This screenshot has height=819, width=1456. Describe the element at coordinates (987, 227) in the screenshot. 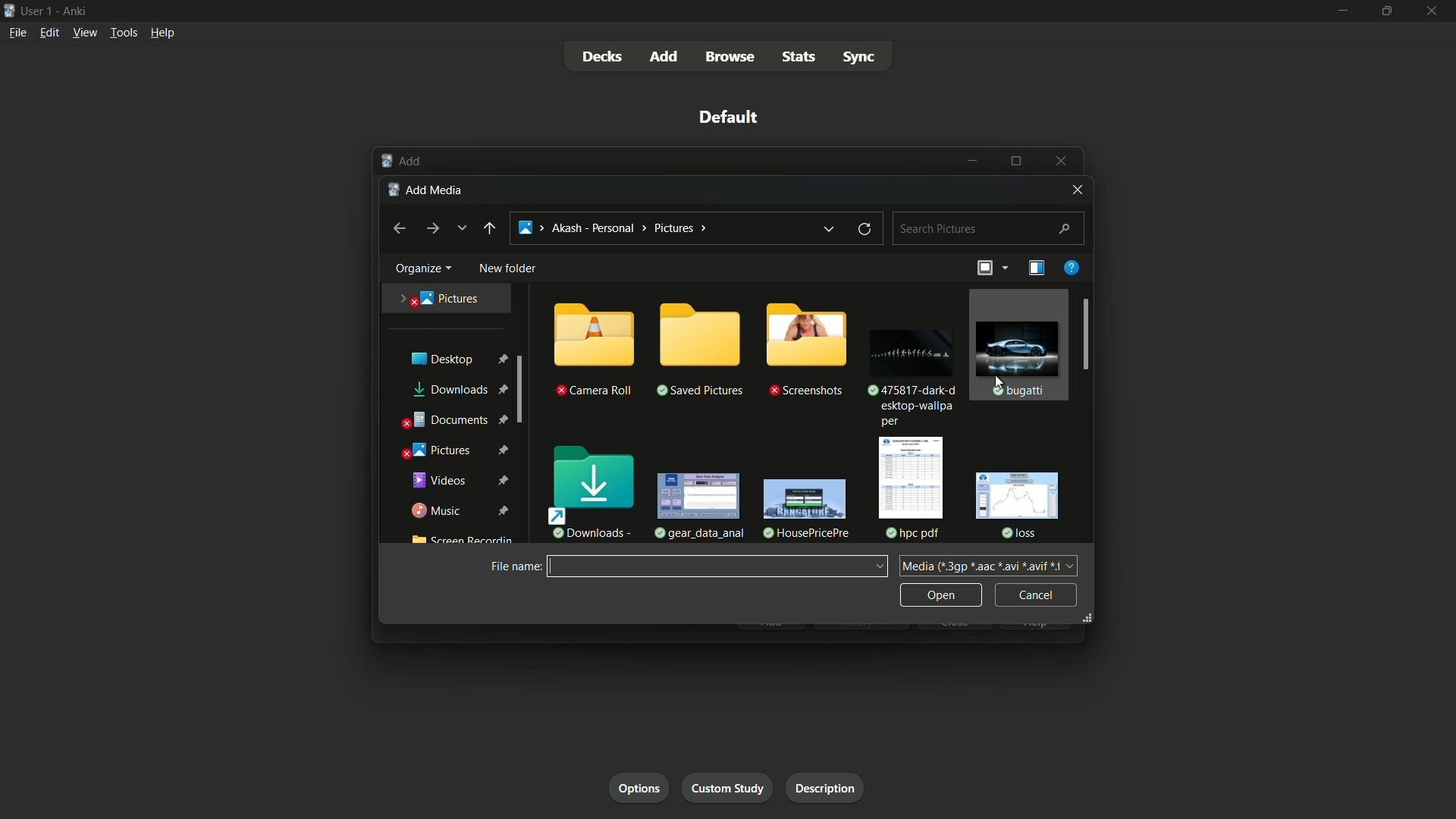

I see `search bar` at that location.